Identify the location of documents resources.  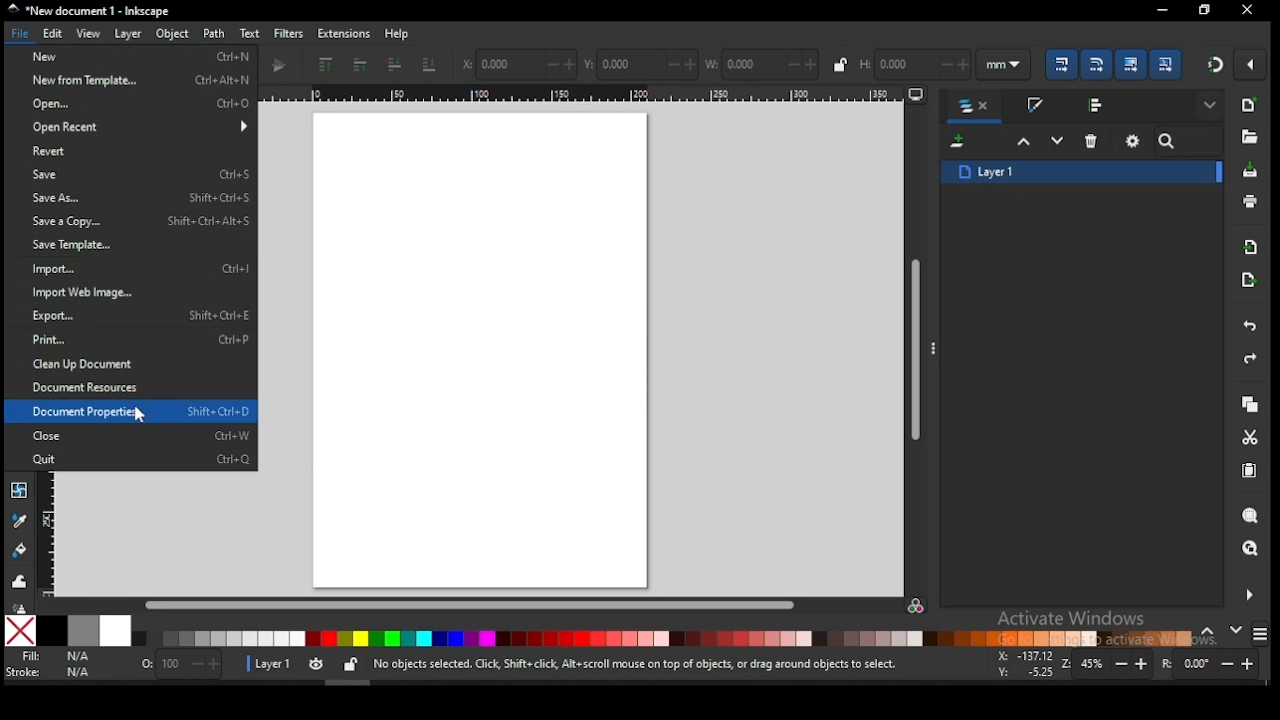
(93, 387).